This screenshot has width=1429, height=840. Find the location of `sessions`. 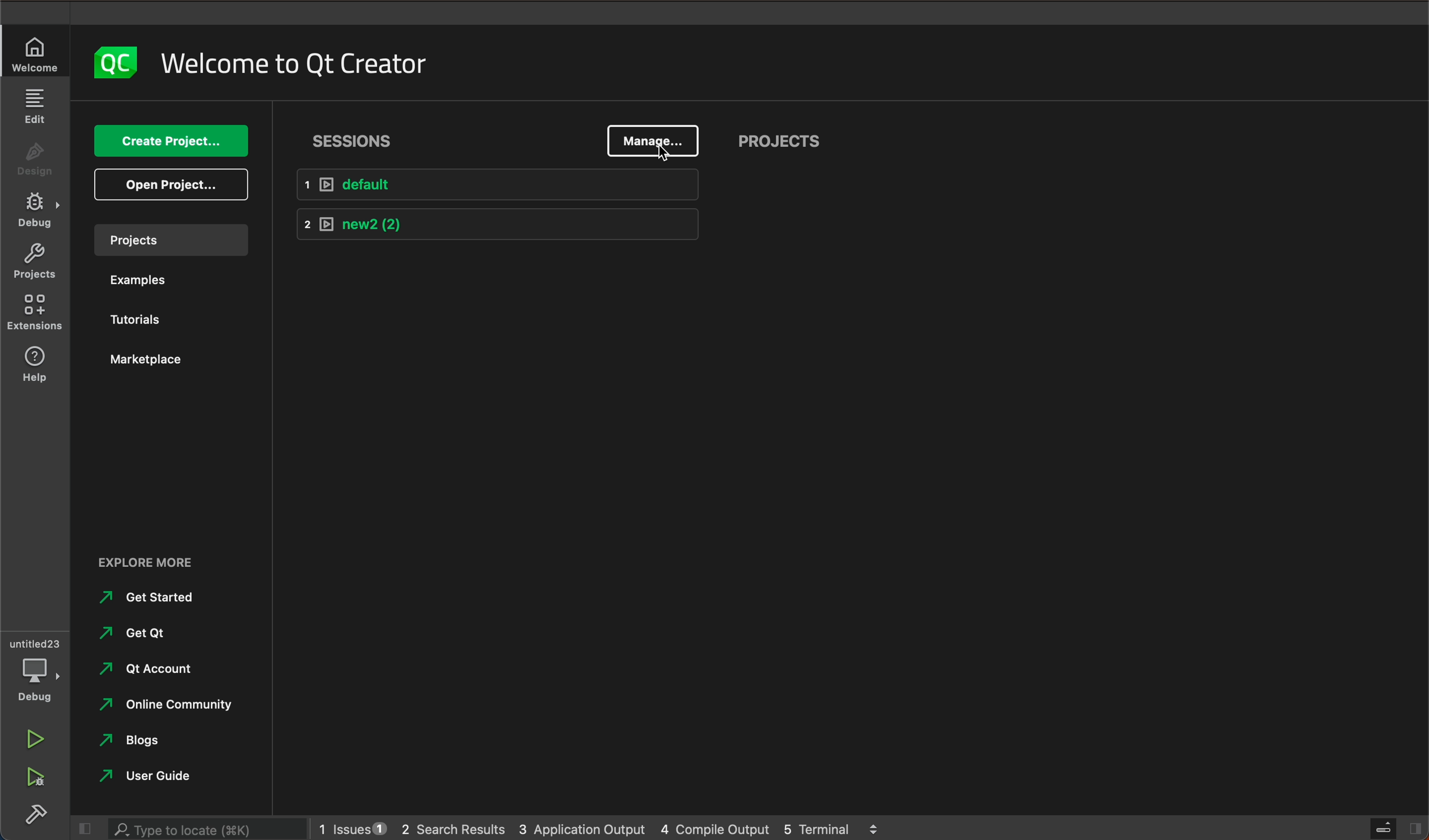

sessions is located at coordinates (360, 142).